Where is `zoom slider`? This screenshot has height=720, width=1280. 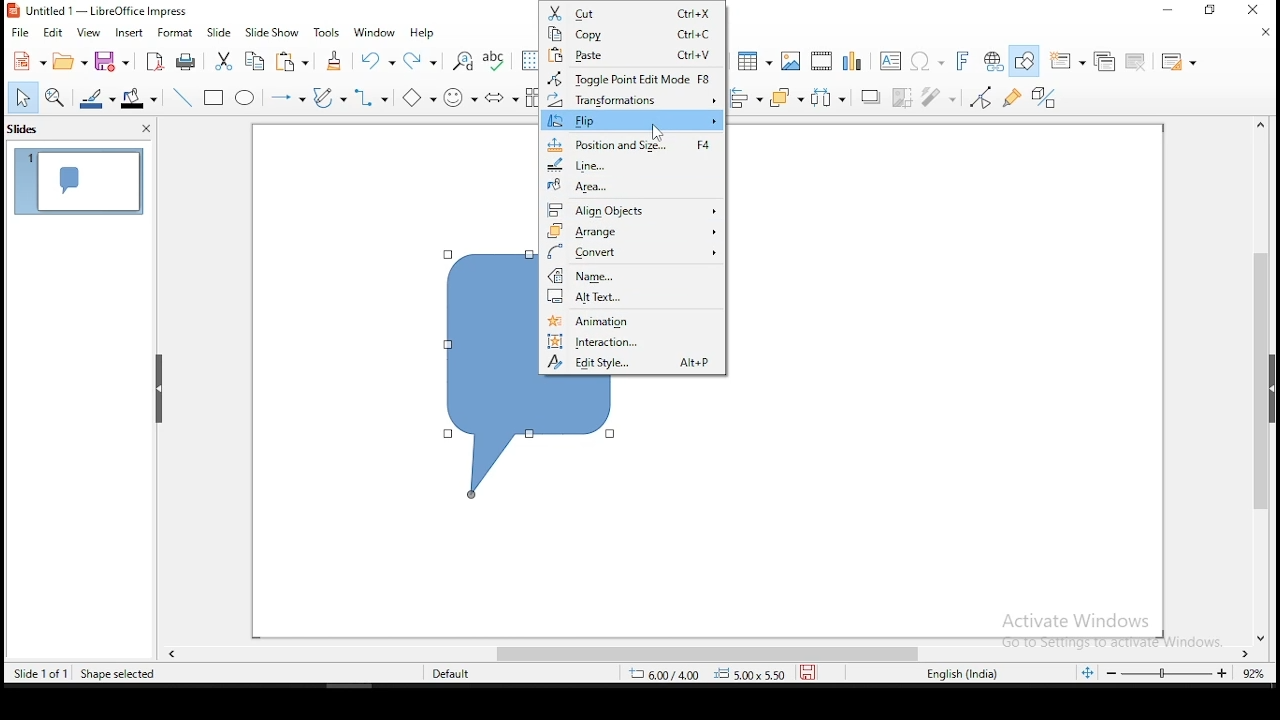 zoom slider is located at coordinates (1169, 675).